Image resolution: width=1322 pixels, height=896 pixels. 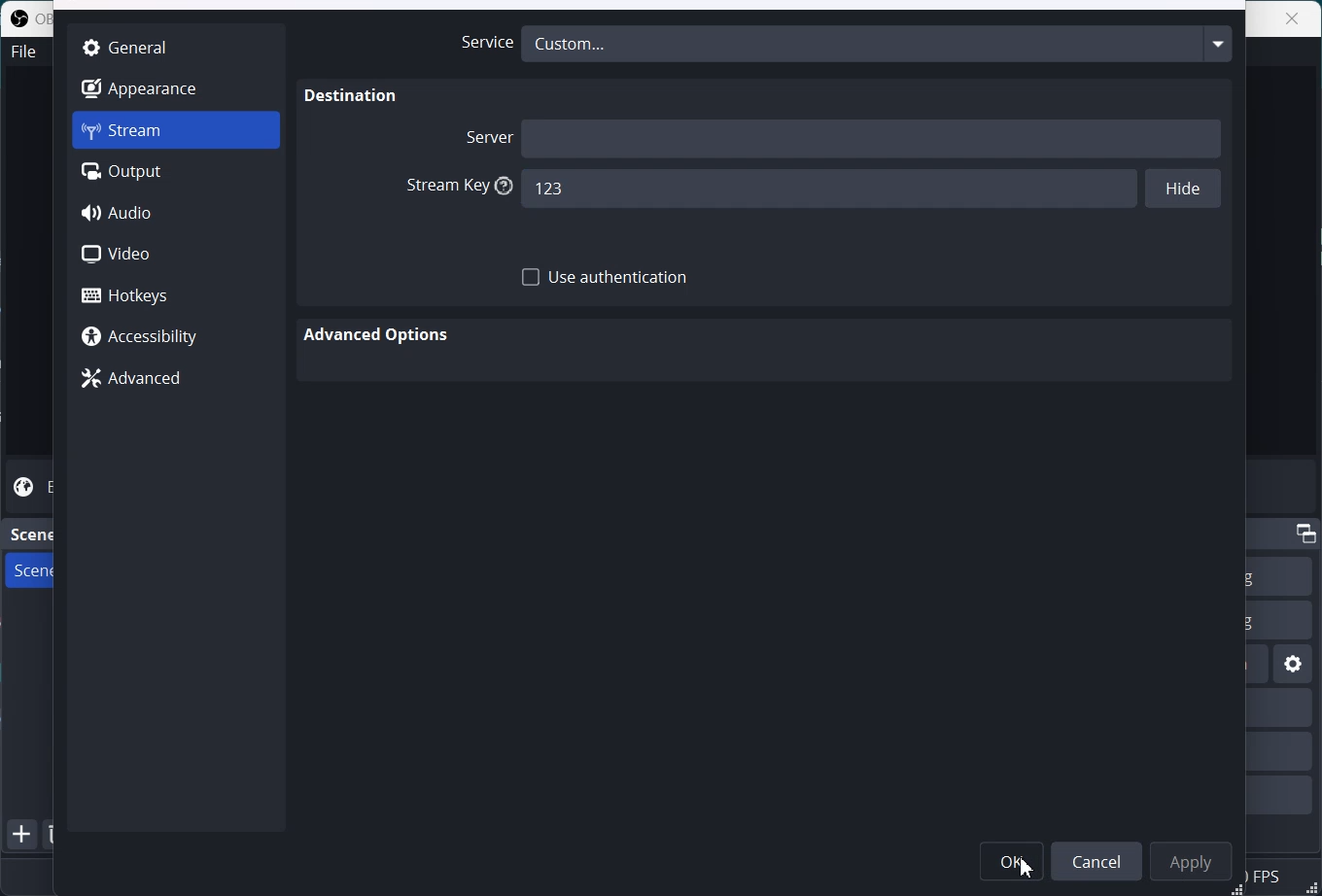 What do you see at coordinates (1012, 858) in the screenshot?
I see `OK` at bounding box center [1012, 858].